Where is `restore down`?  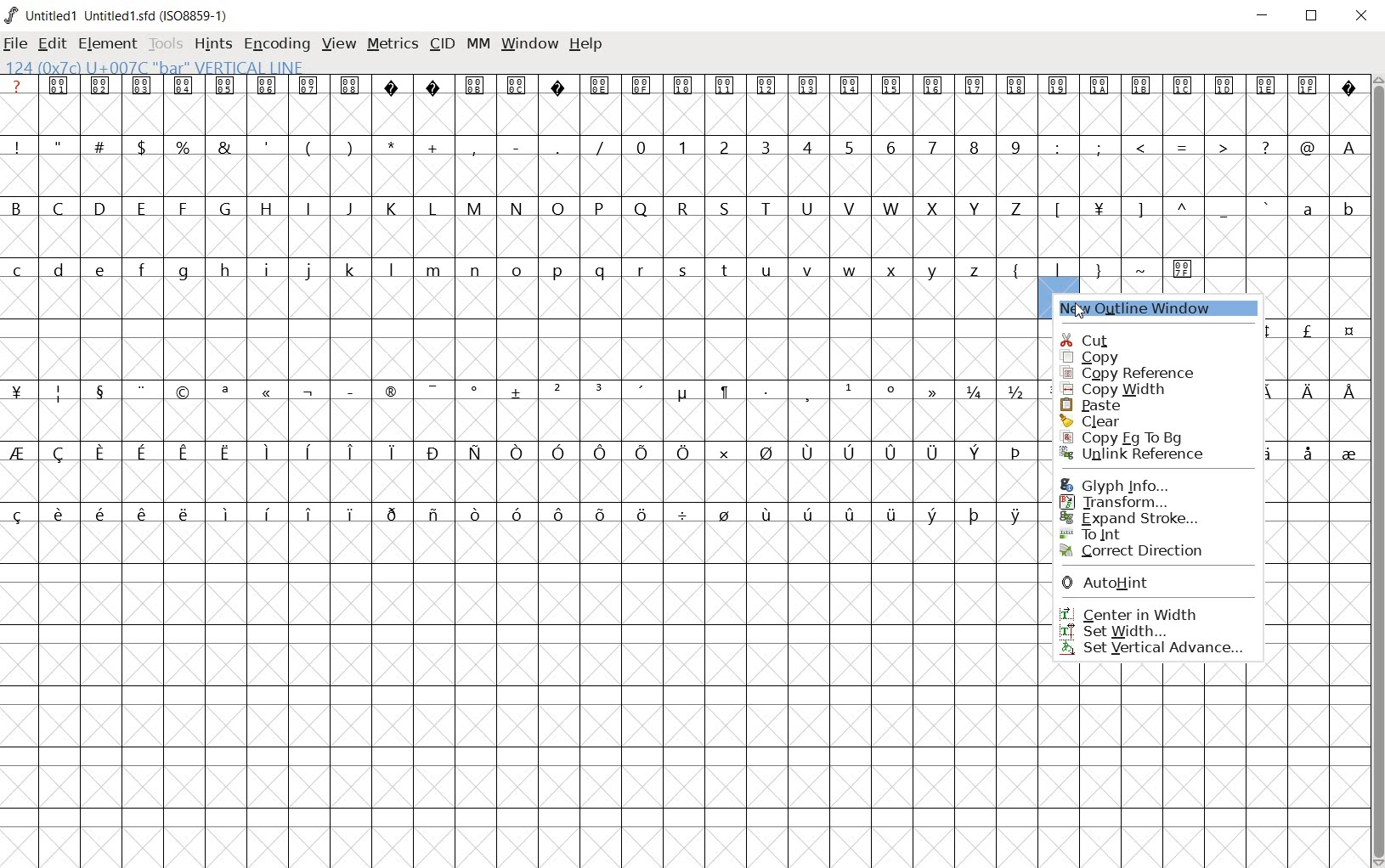
restore down is located at coordinates (1313, 16).